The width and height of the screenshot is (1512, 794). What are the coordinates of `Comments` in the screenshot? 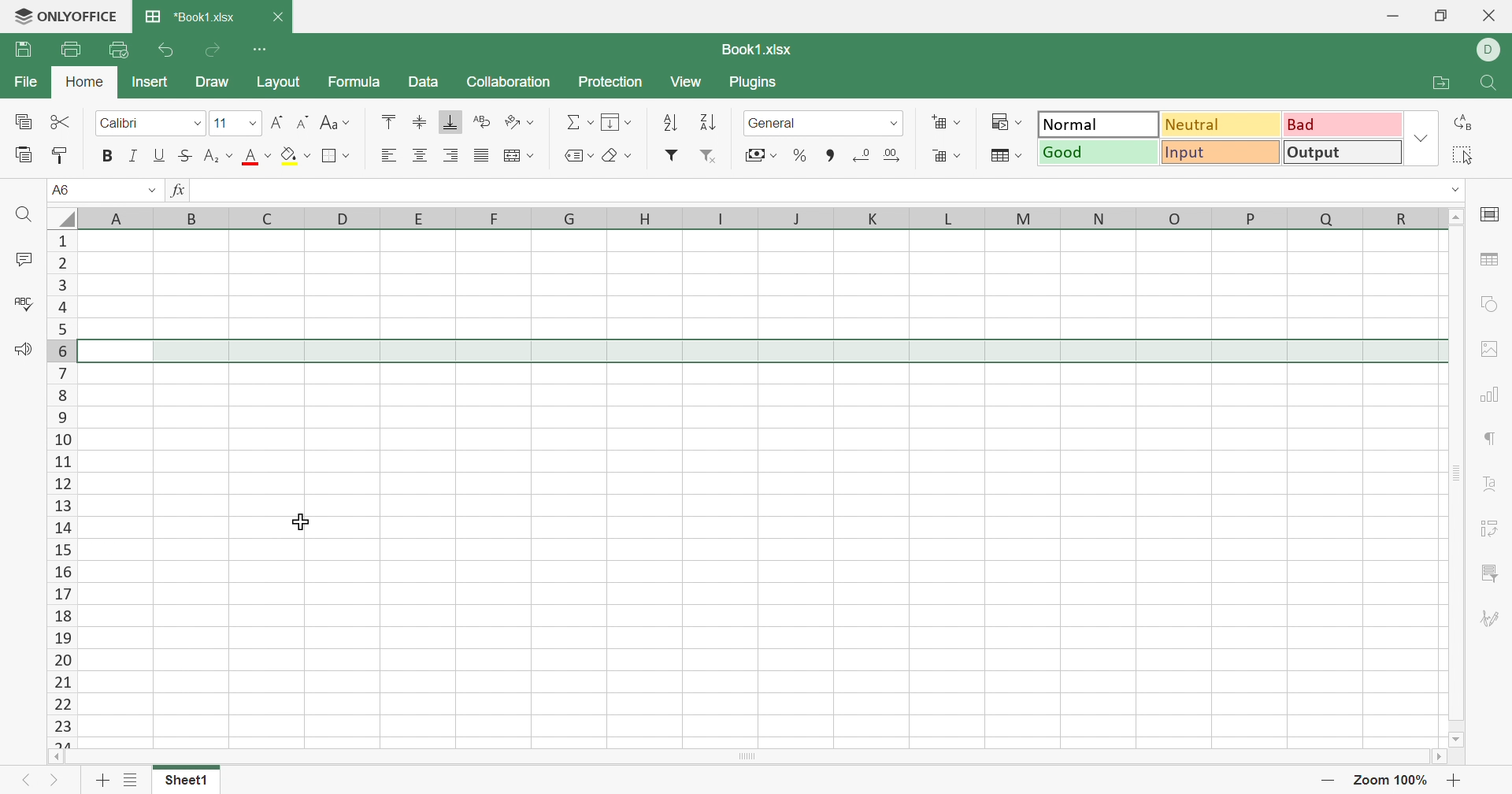 It's located at (21, 259).